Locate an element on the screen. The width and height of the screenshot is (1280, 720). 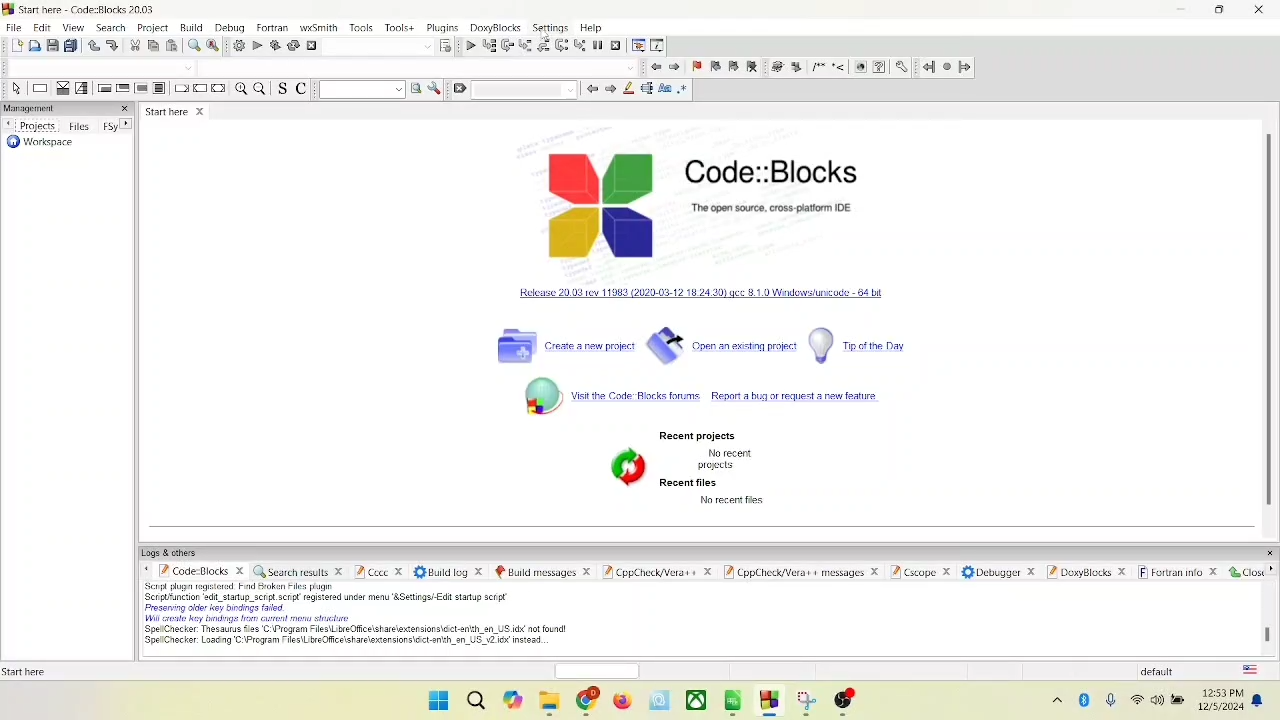
code::block is located at coordinates (91, 10).